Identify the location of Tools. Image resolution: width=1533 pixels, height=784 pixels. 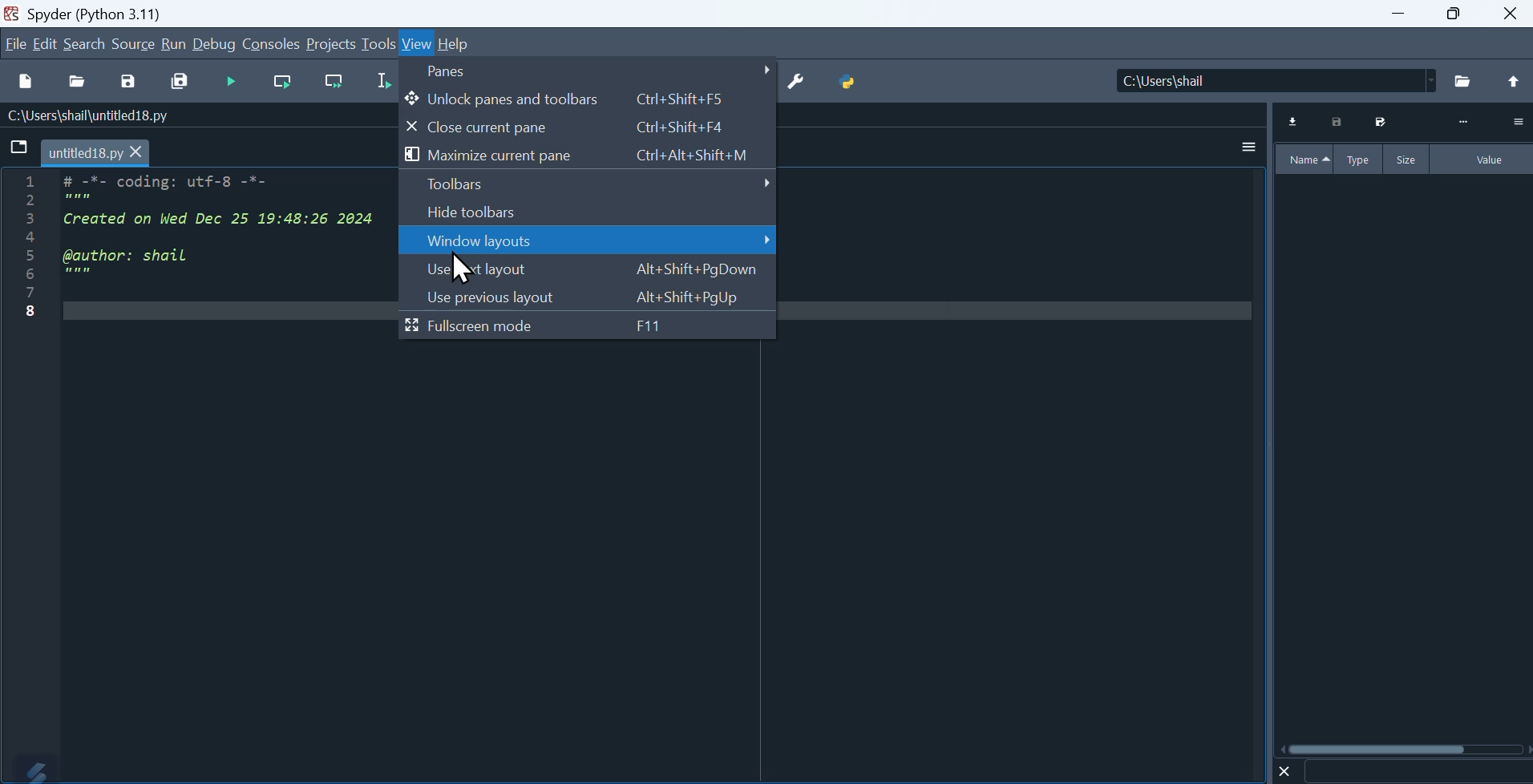
(378, 42).